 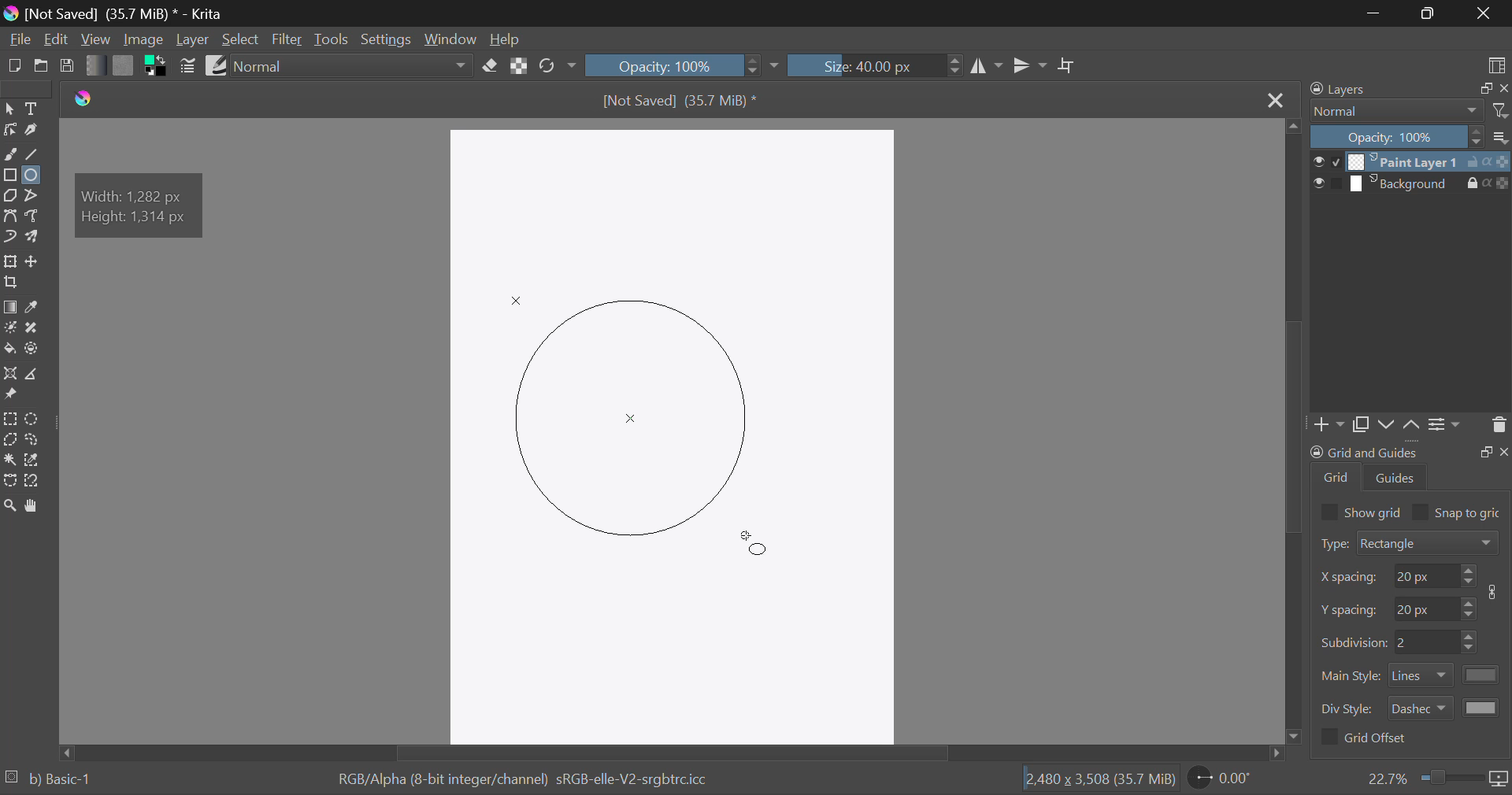 I want to click on Add Layer, so click(x=1331, y=426).